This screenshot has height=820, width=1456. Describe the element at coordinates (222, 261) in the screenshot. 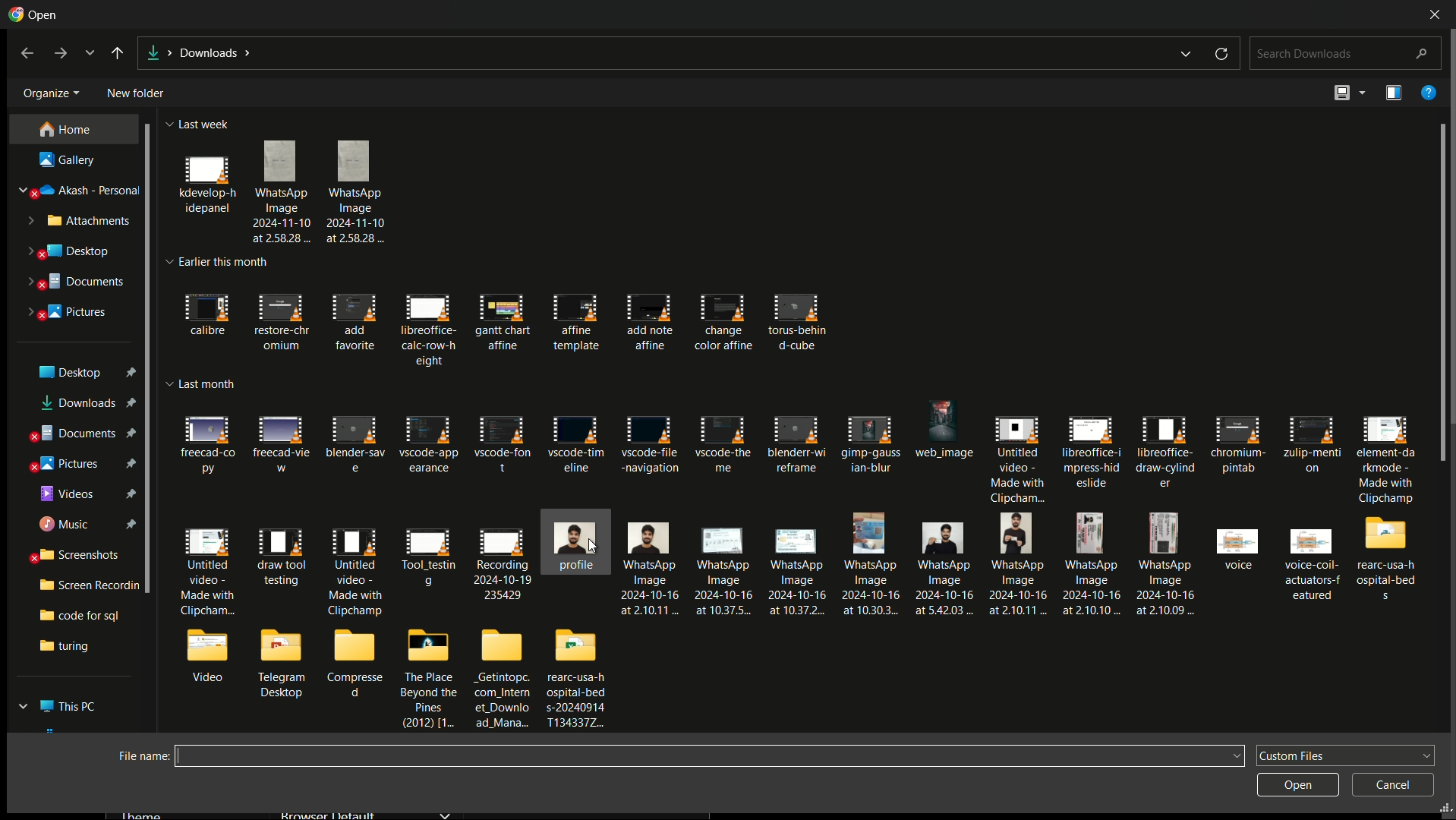

I see `earlier this month` at that location.